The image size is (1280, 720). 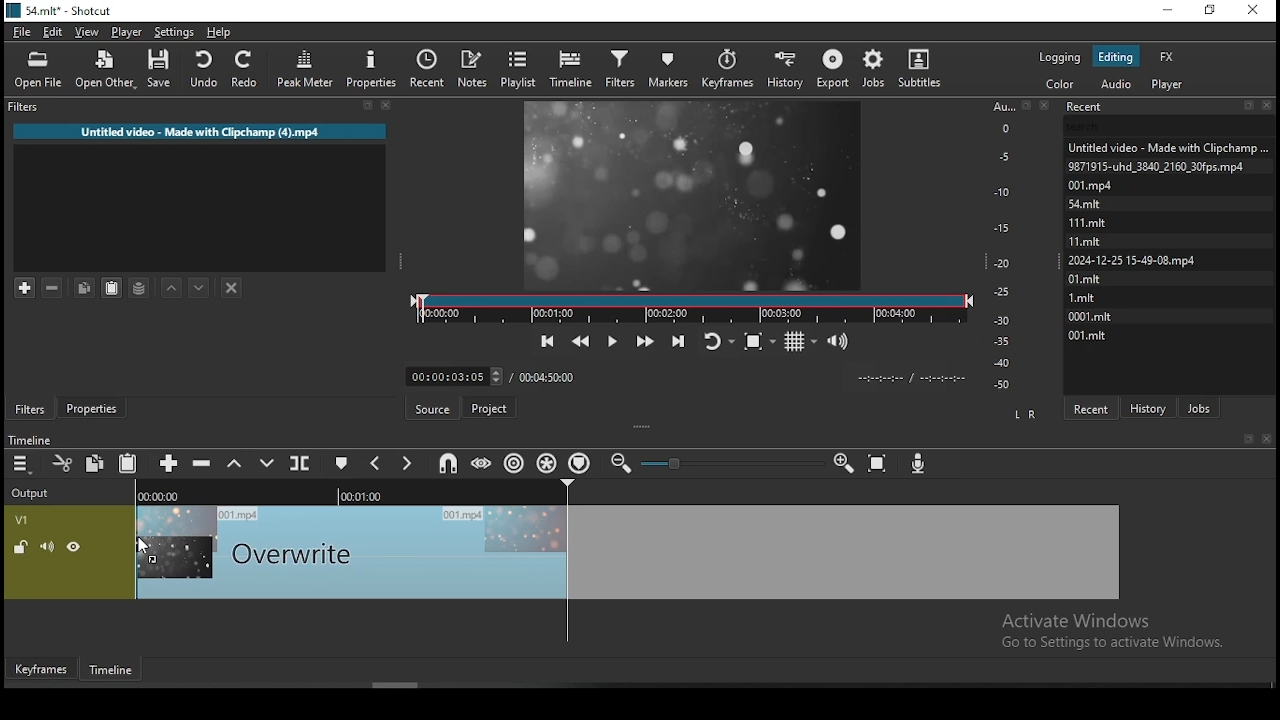 What do you see at coordinates (583, 339) in the screenshot?
I see `play quickly backwards` at bounding box center [583, 339].